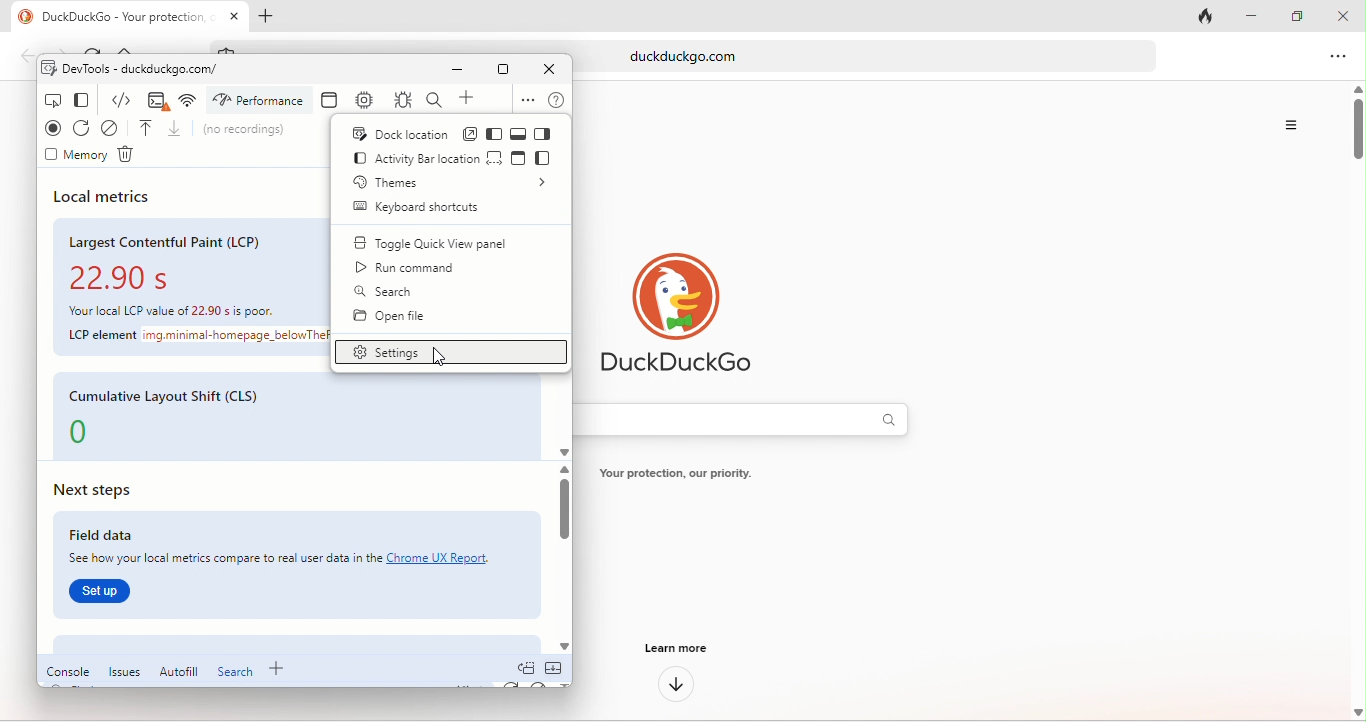 Image resolution: width=1366 pixels, height=722 pixels. Describe the element at coordinates (474, 100) in the screenshot. I see `add` at that location.